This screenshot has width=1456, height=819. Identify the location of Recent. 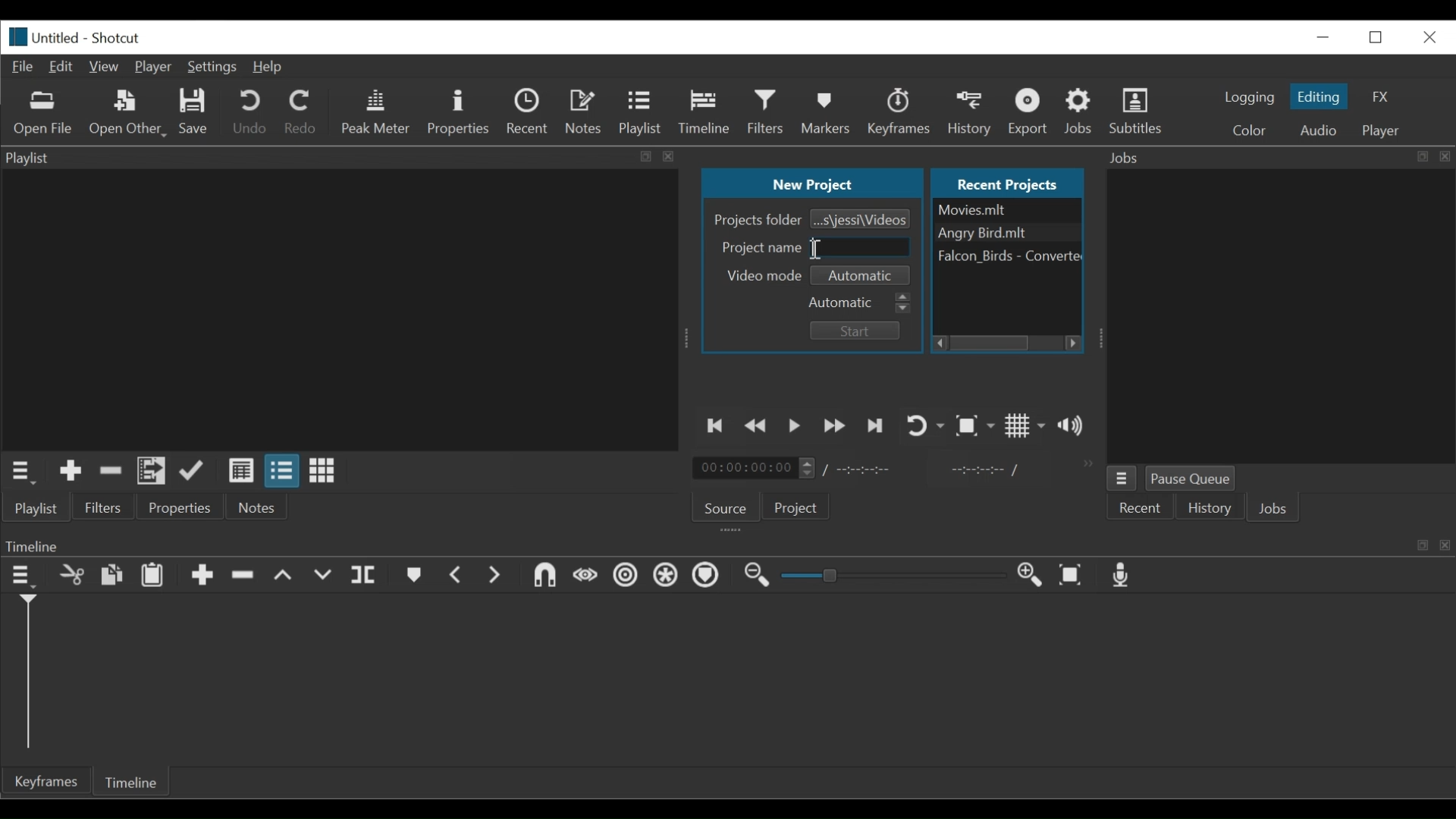
(1140, 507).